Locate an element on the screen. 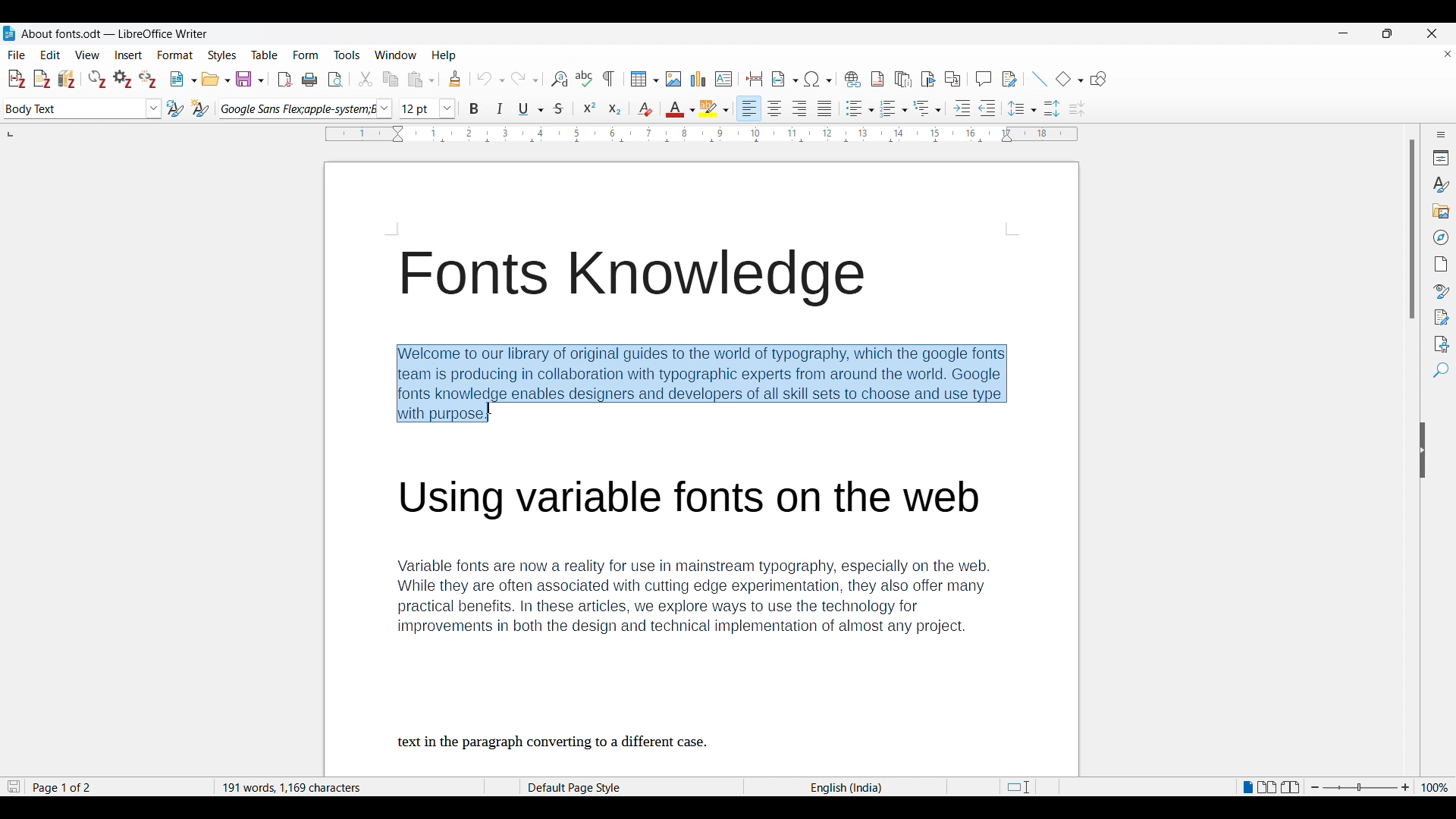 The image size is (1456, 819). Properties is located at coordinates (1442, 158).